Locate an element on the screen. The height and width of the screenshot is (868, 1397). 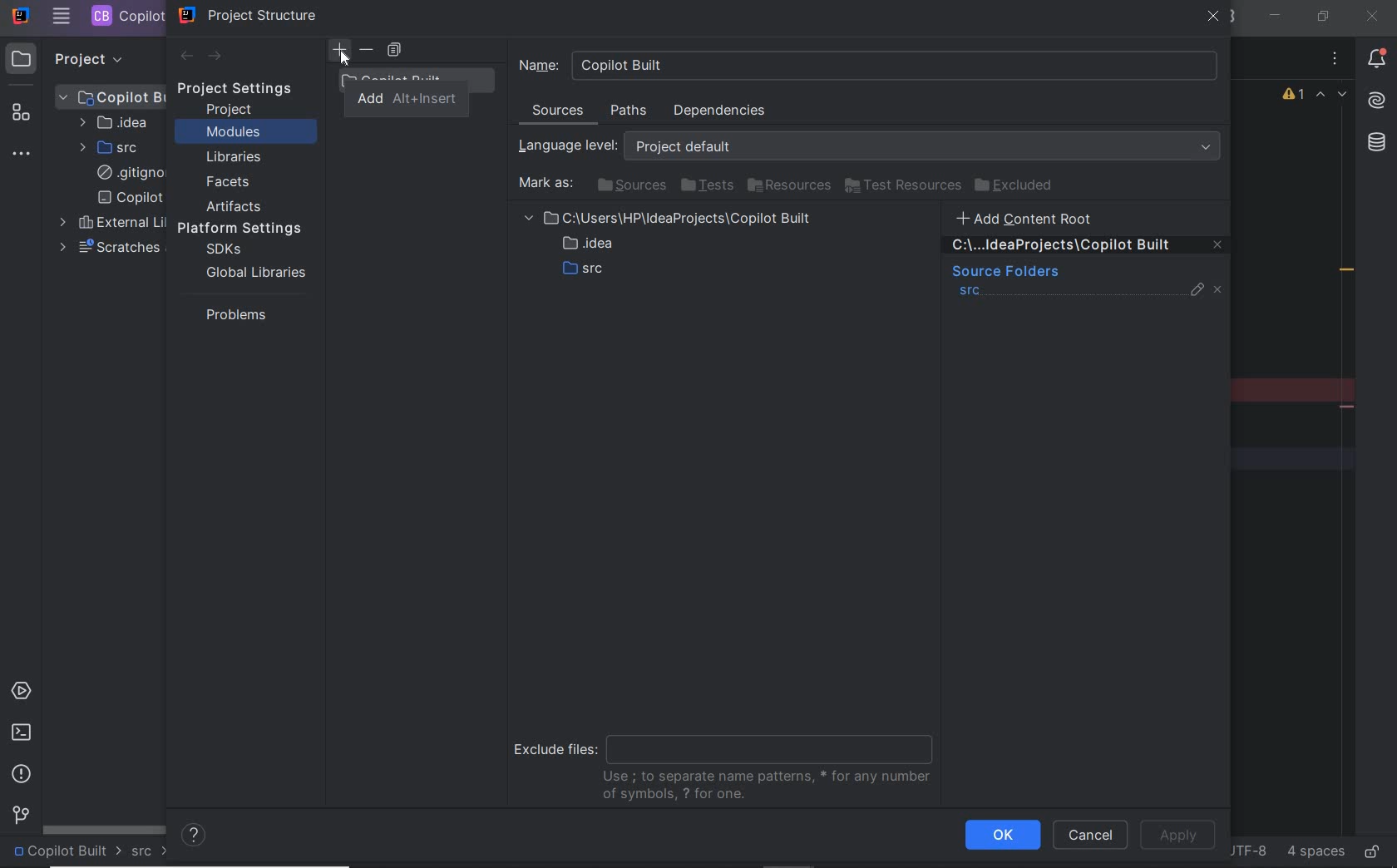
Language Level is located at coordinates (873, 146).